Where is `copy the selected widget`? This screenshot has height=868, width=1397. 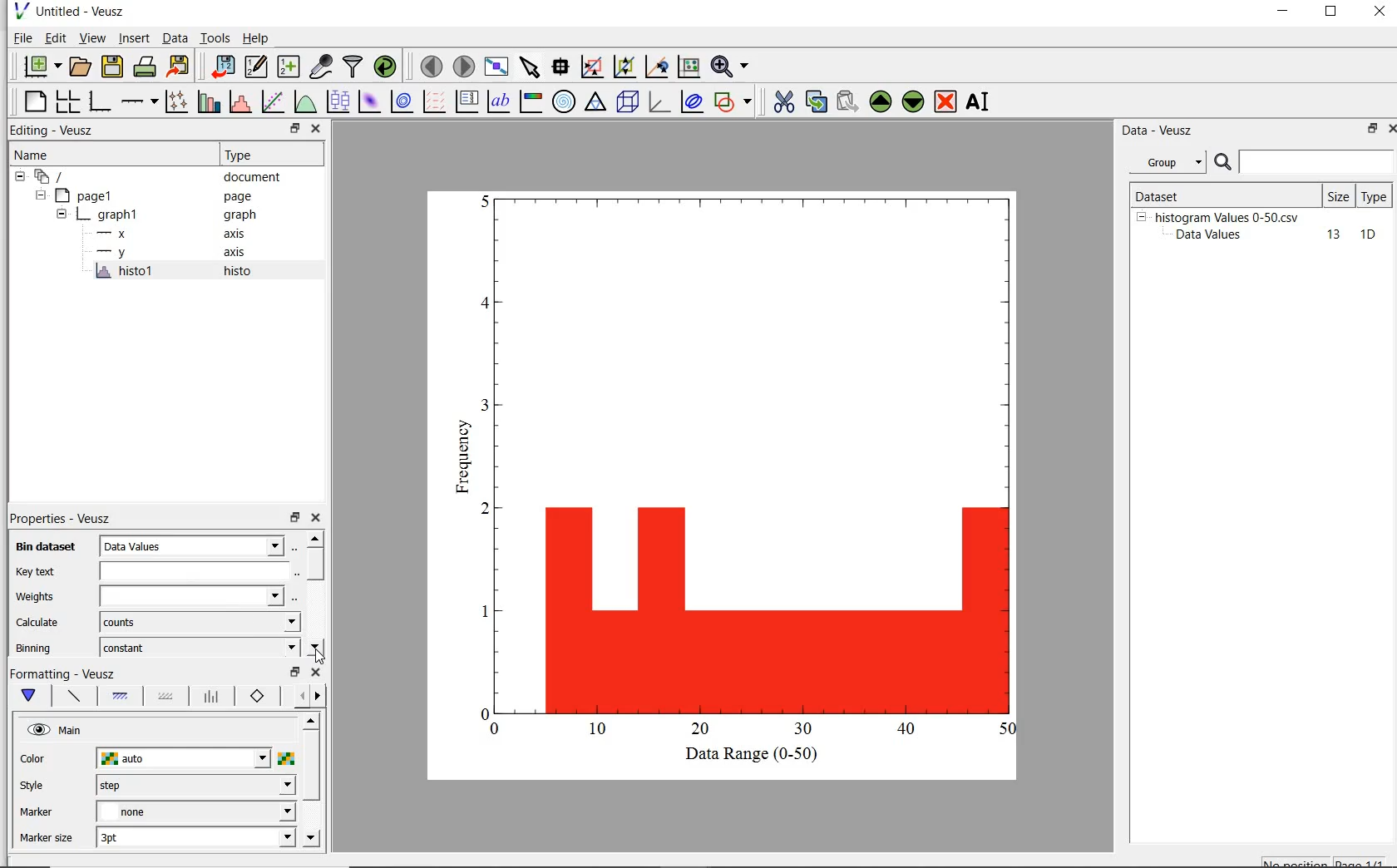 copy the selected widget is located at coordinates (815, 104).